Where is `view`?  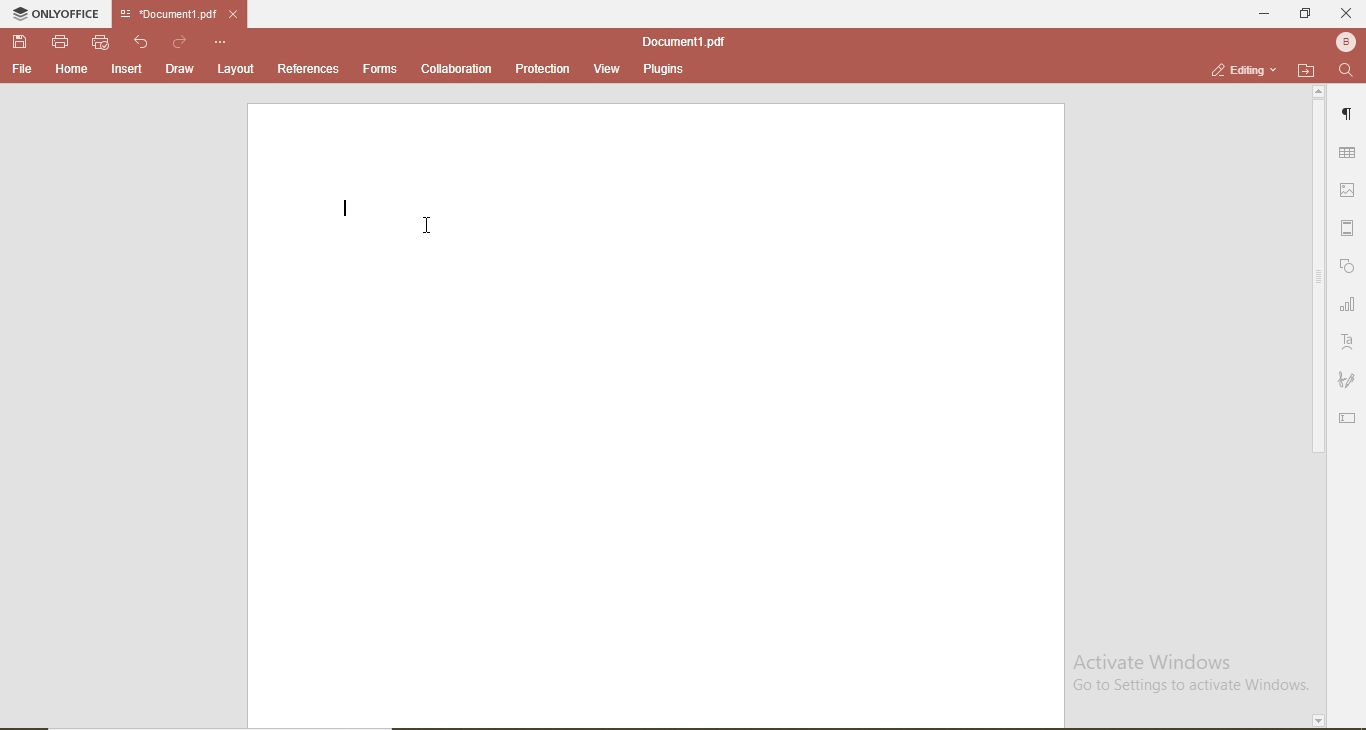 view is located at coordinates (607, 69).